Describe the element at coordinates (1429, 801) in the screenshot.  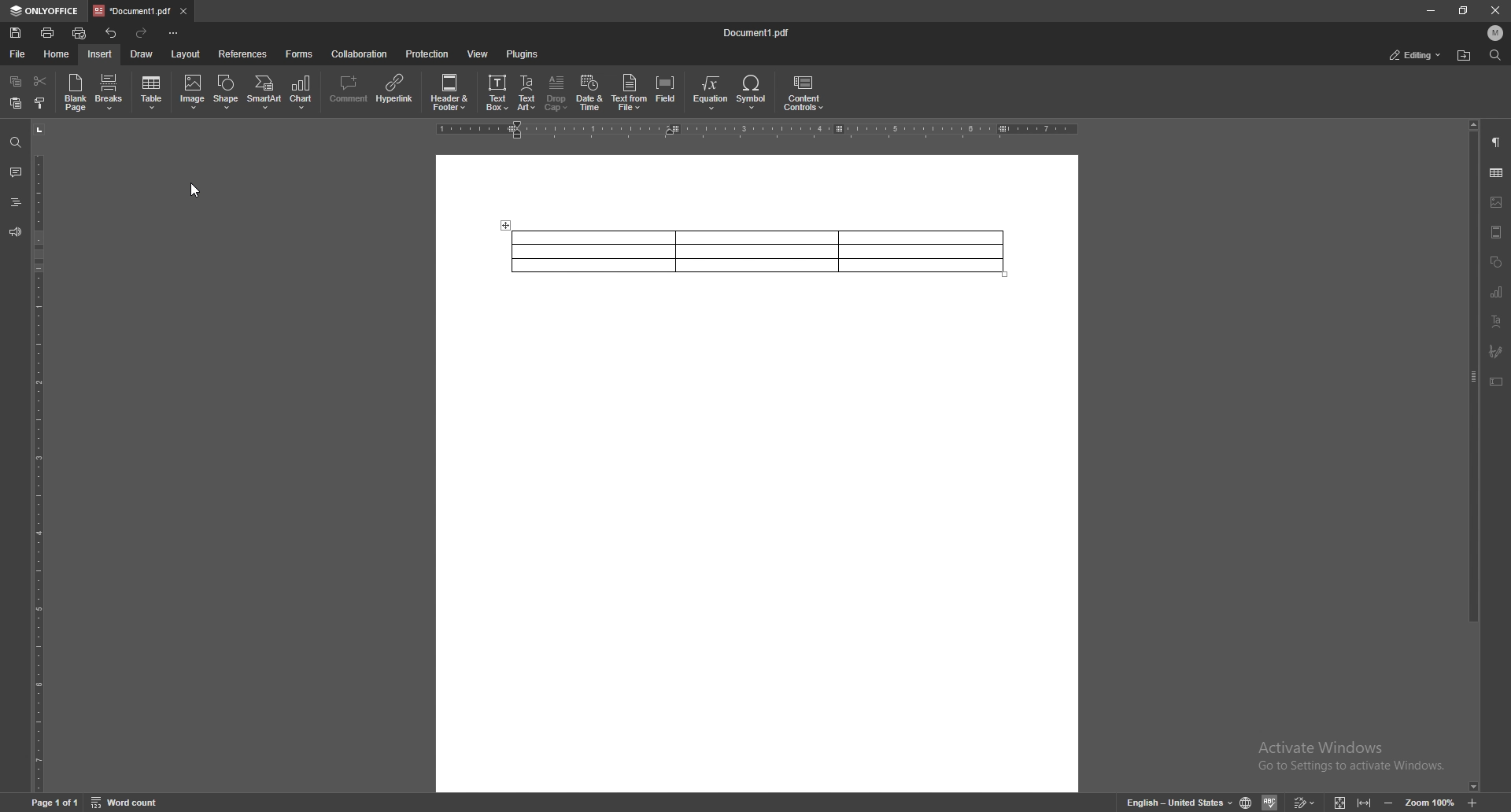
I see `zoom` at that location.